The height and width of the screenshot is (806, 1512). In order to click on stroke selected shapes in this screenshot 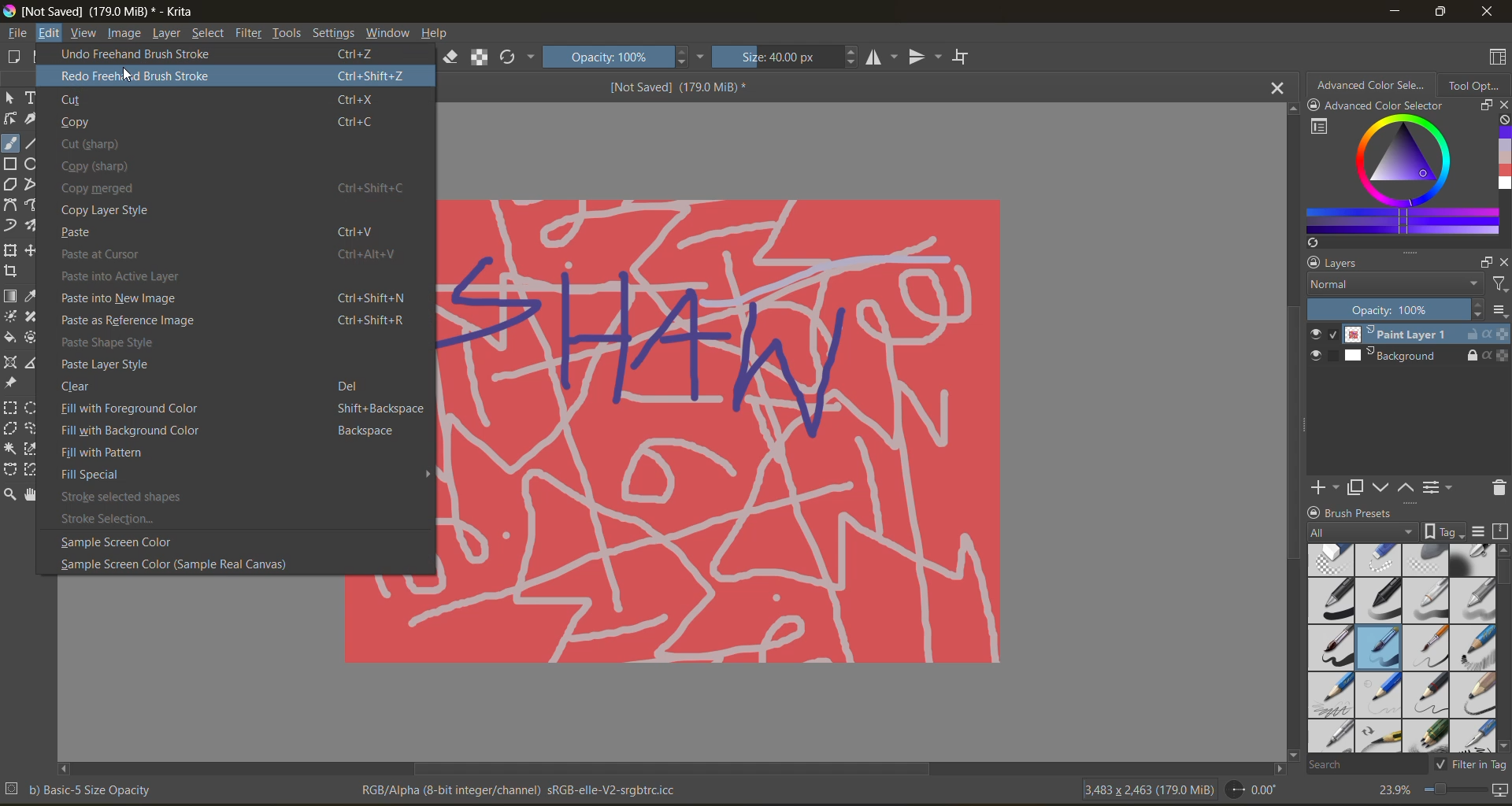, I will do `click(130, 496)`.